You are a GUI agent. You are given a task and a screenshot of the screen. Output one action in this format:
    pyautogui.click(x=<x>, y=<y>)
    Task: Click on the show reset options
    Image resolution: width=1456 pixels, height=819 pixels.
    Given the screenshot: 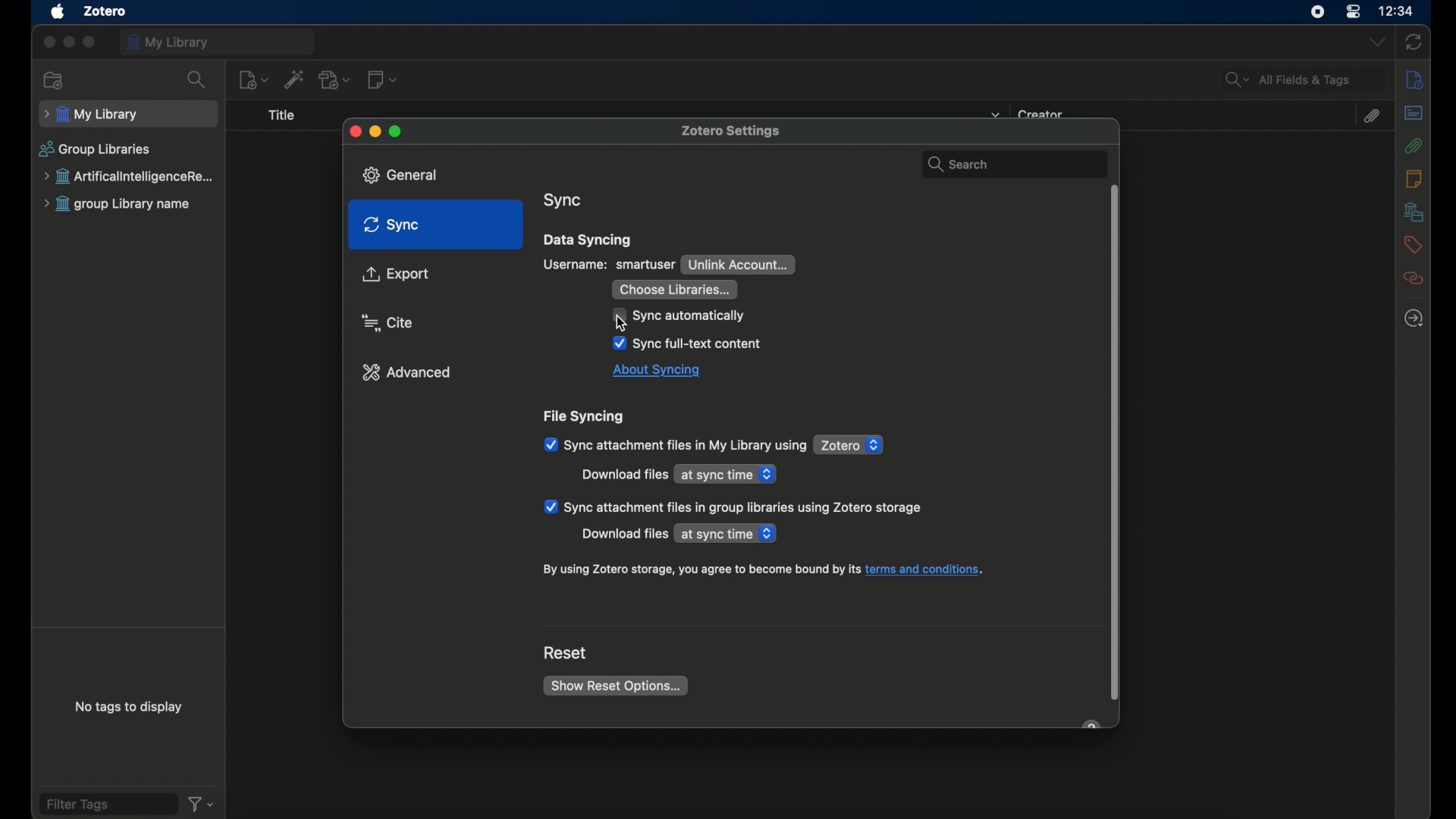 What is the action you would take?
    pyautogui.click(x=617, y=688)
    